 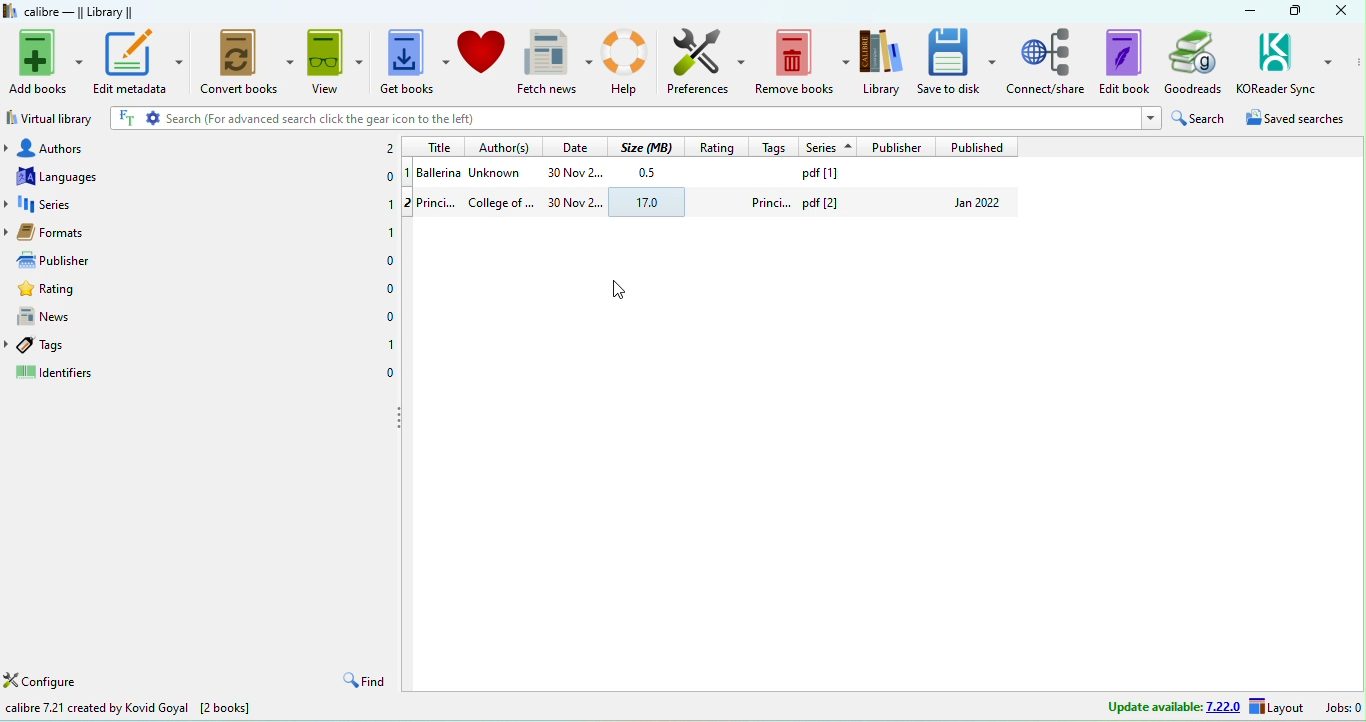 What do you see at coordinates (80, 146) in the screenshot?
I see `authors` at bounding box center [80, 146].